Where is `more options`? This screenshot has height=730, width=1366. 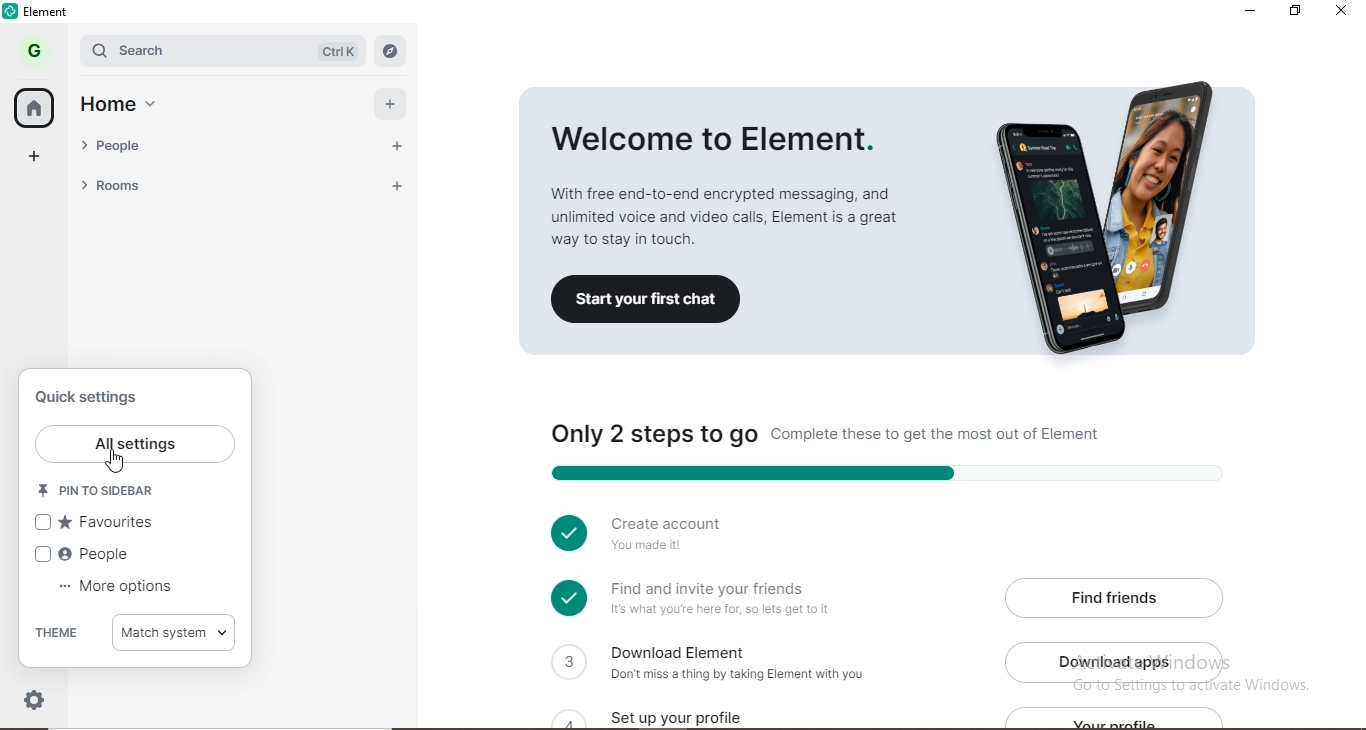 more options is located at coordinates (116, 592).